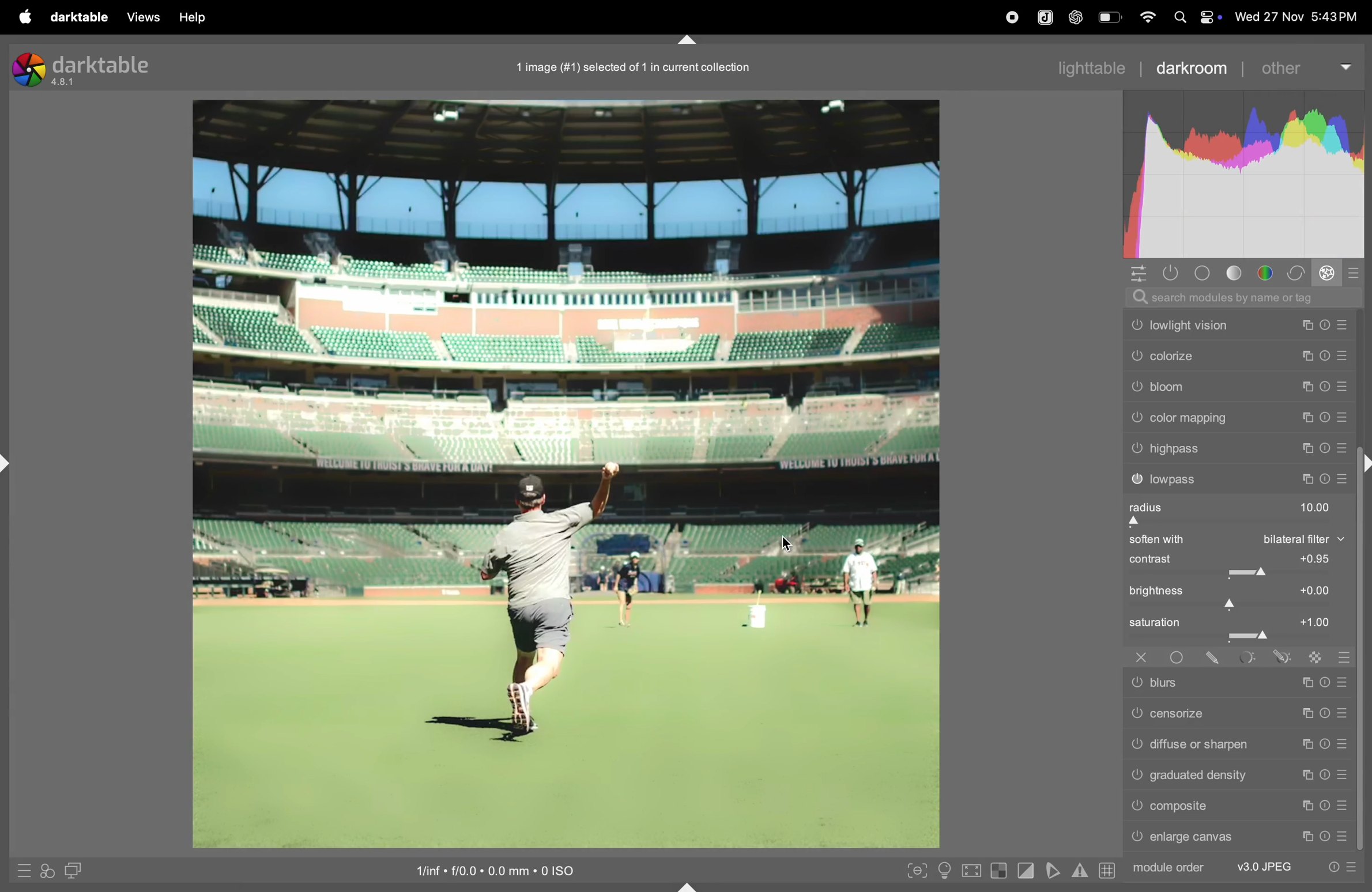 Image resolution: width=1372 pixels, height=892 pixels. I want to click on radius, so click(1232, 512).